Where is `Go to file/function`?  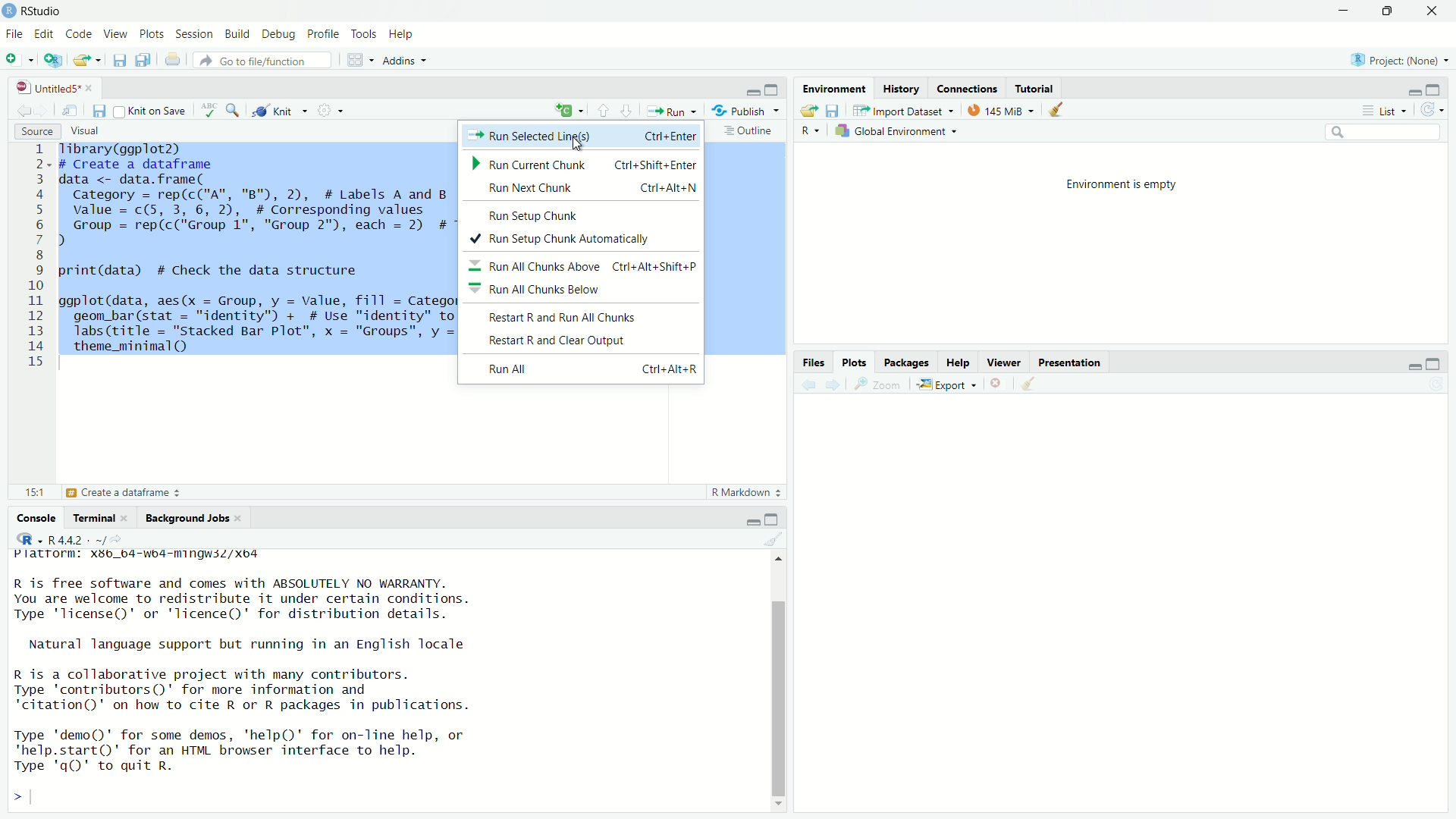
Go to file/function is located at coordinates (265, 60).